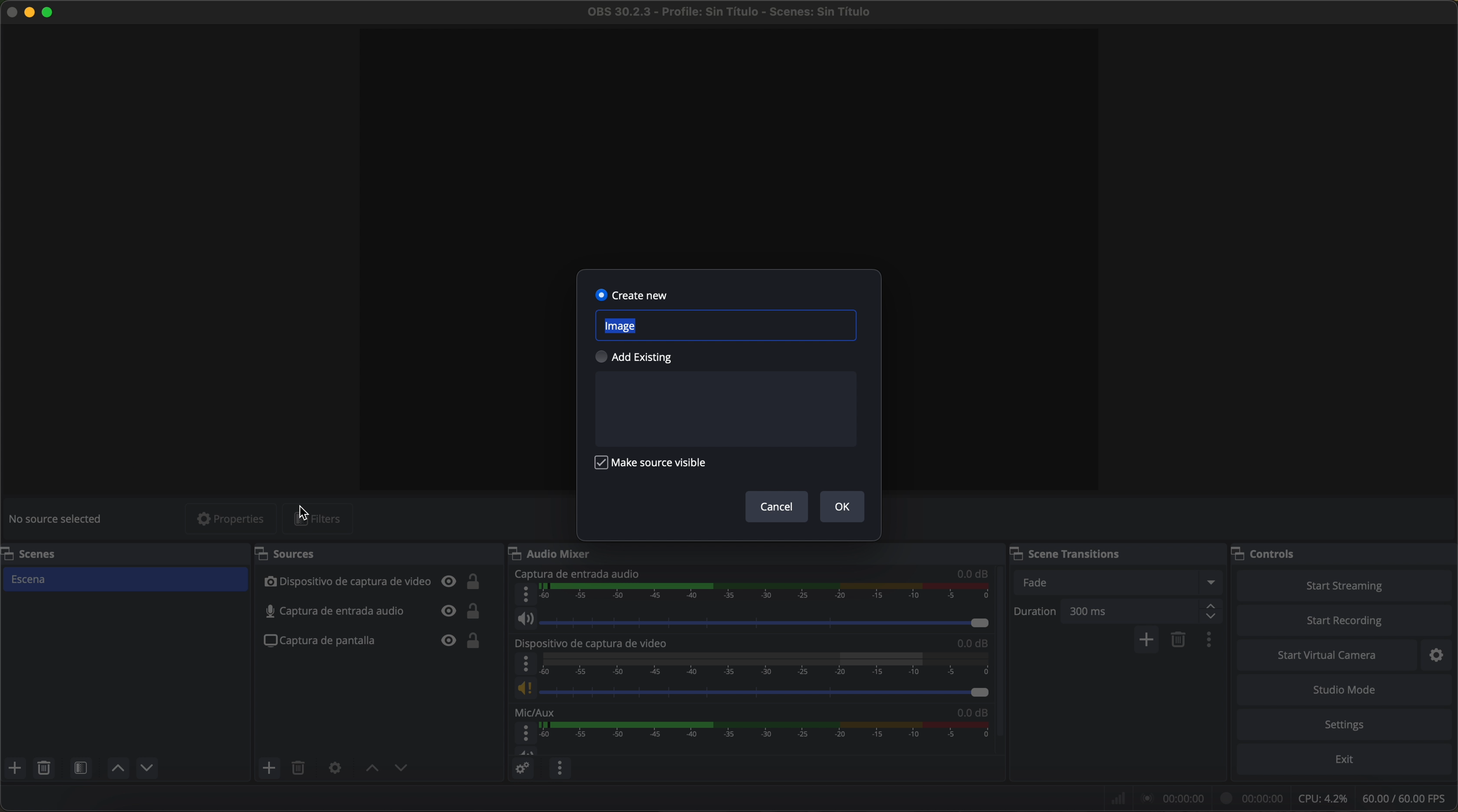 This screenshot has width=1458, height=812. What do you see at coordinates (59, 518) in the screenshot?
I see `no source selected` at bounding box center [59, 518].